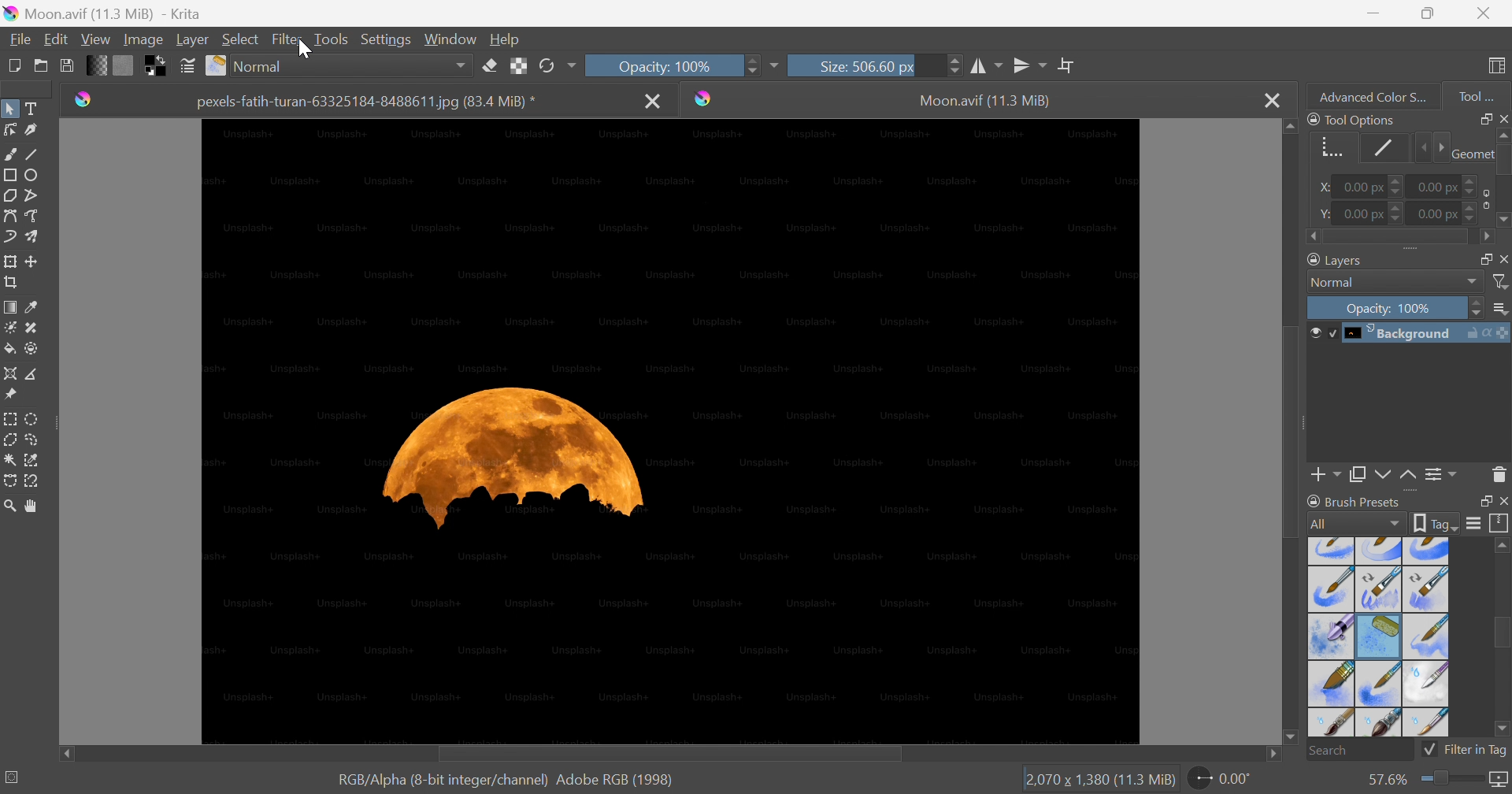  What do you see at coordinates (94, 65) in the screenshot?
I see `Fill gradients` at bounding box center [94, 65].